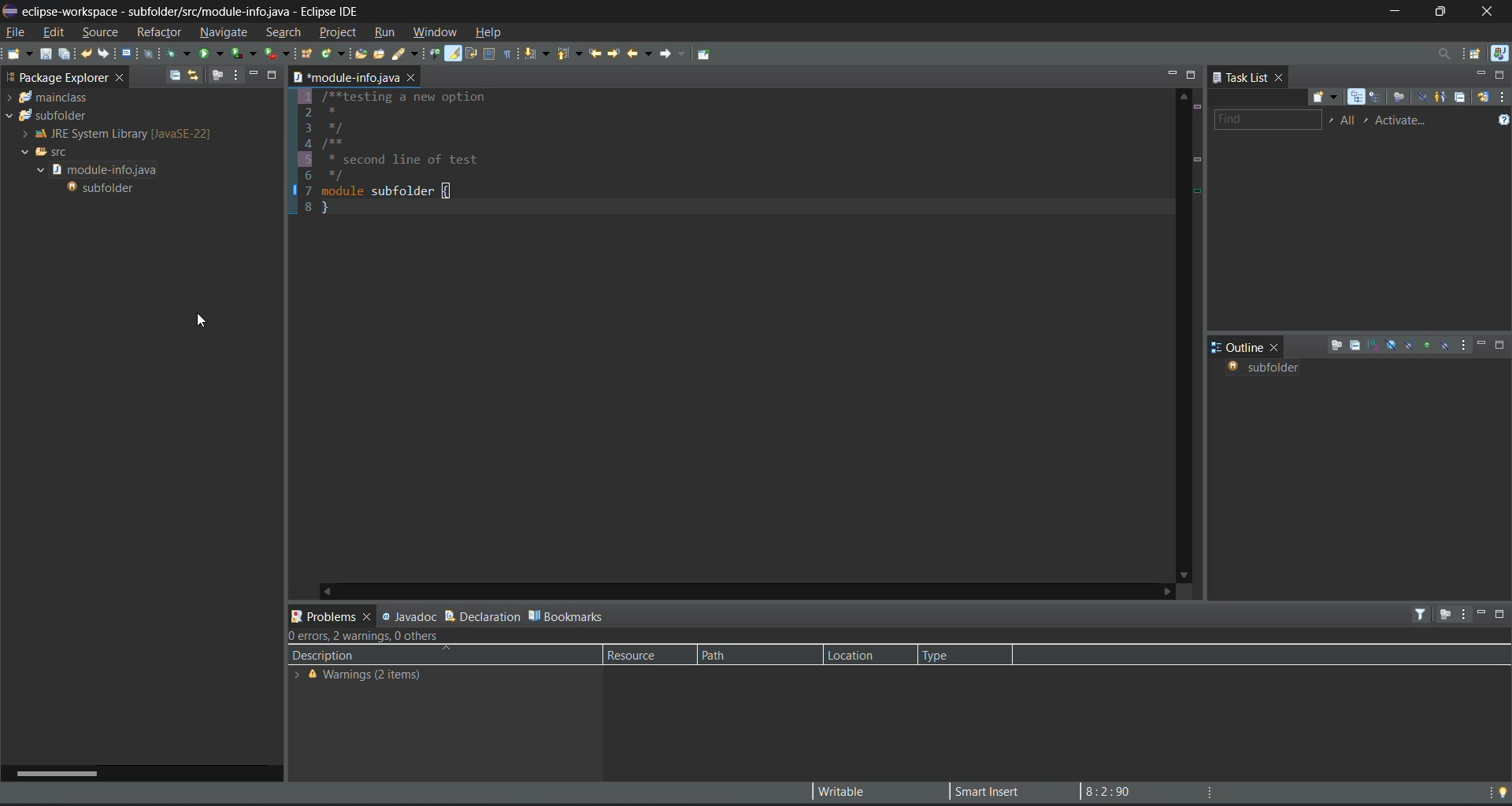 Image resolution: width=1512 pixels, height=806 pixels. I want to click on new java class, so click(333, 53).